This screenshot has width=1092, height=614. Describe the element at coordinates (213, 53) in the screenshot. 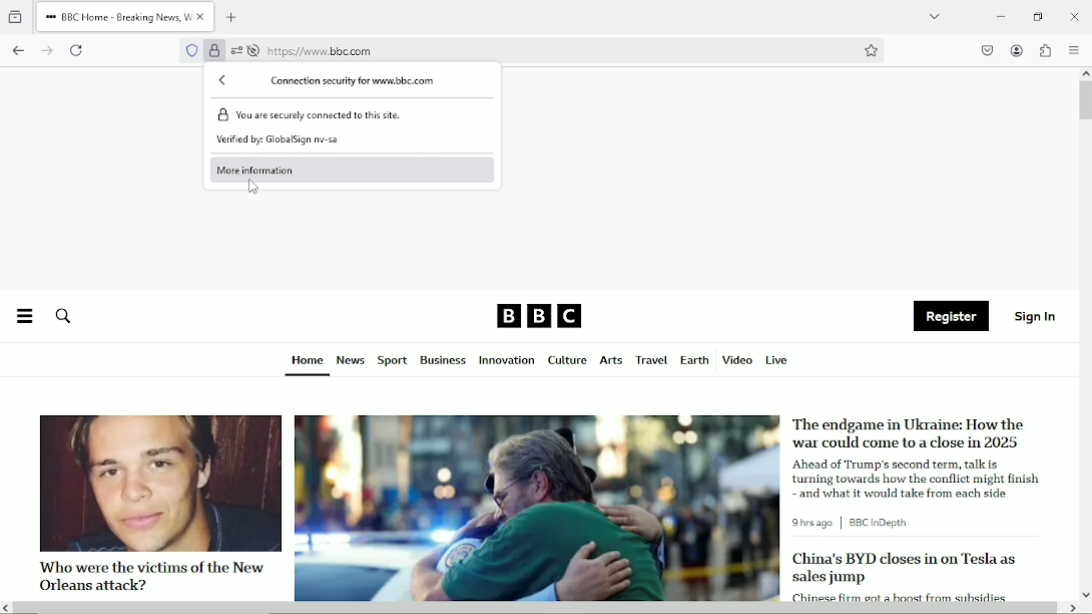

I see `Verified by Google Trust Services` at that location.